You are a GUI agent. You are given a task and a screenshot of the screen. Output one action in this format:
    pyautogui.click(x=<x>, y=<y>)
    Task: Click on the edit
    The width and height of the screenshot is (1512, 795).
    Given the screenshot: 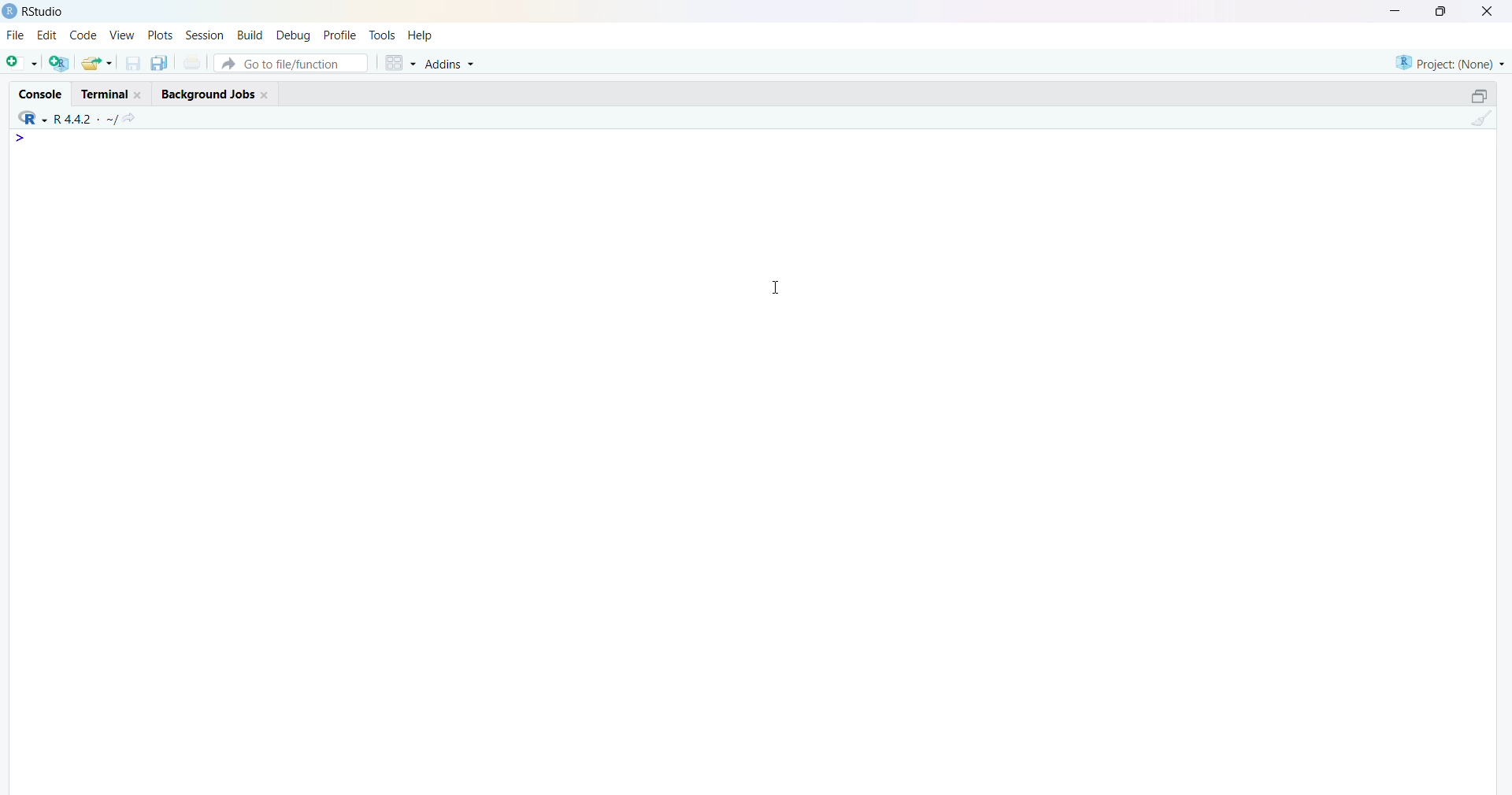 What is the action you would take?
    pyautogui.click(x=47, y=35)
    